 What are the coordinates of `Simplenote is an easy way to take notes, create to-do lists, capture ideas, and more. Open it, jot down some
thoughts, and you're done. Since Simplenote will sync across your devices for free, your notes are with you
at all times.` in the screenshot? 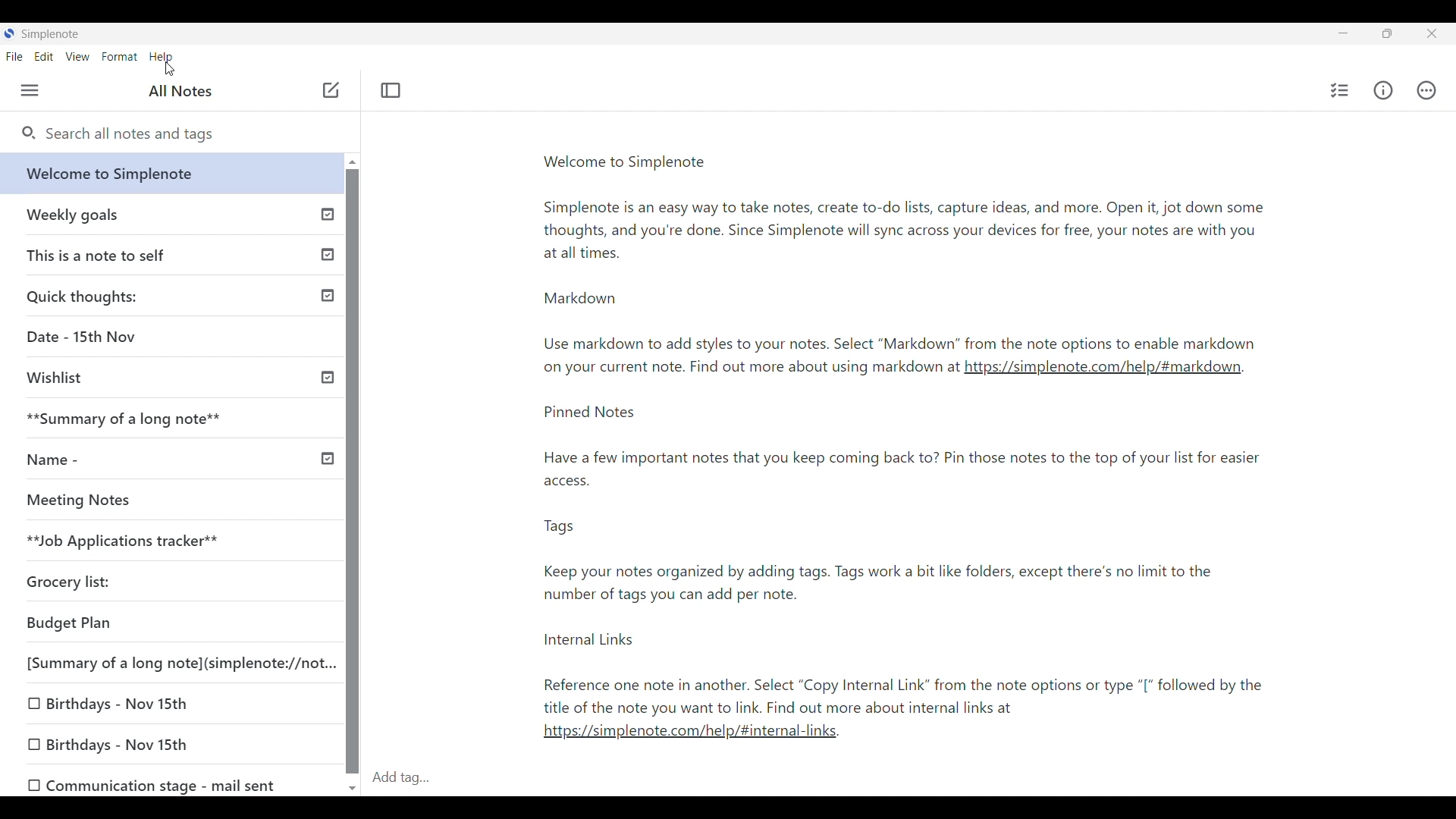 It's located at (905, 233).